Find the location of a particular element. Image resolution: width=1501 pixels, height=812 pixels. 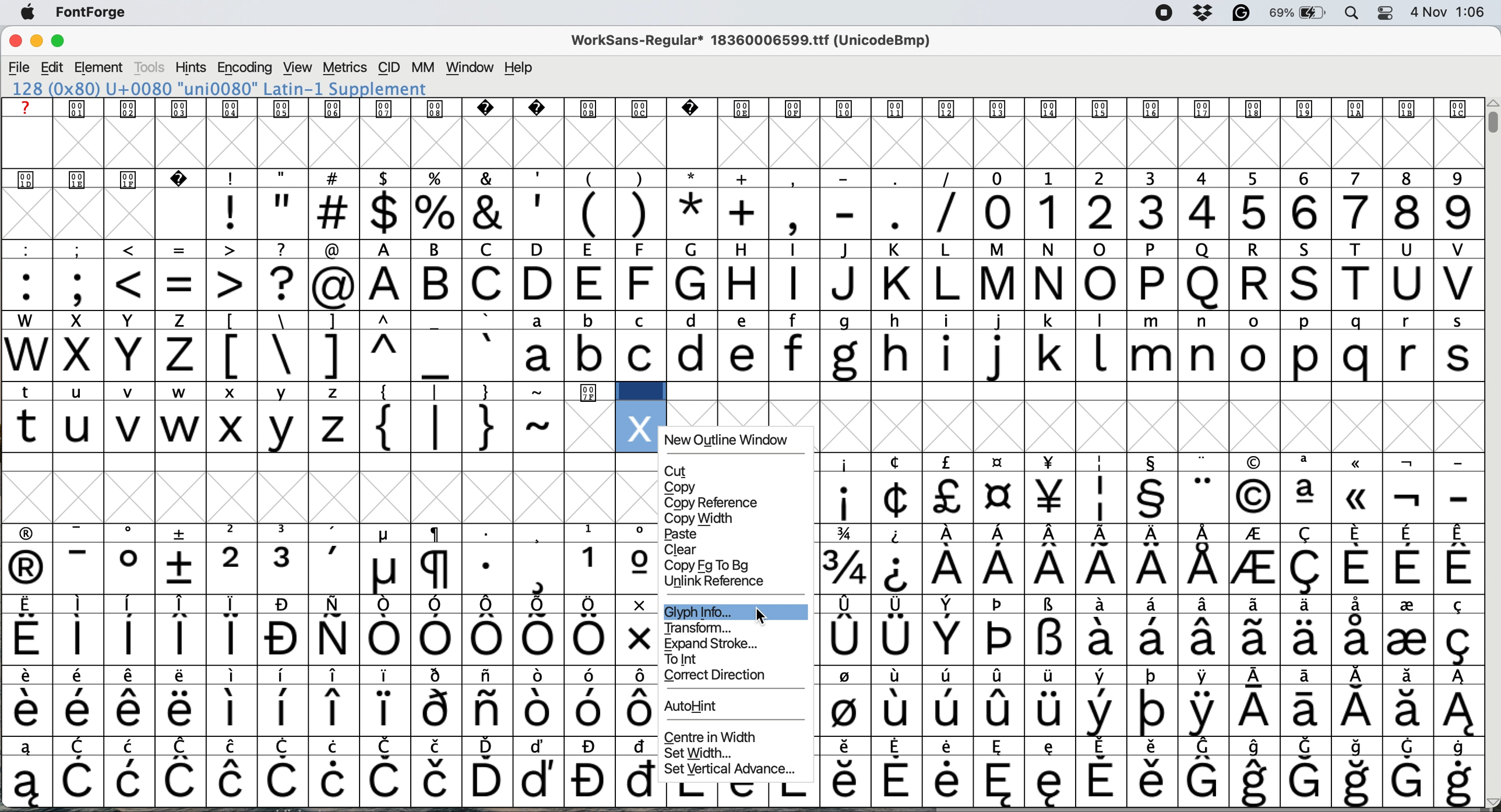

paste  is located at coordinates (697, 535).